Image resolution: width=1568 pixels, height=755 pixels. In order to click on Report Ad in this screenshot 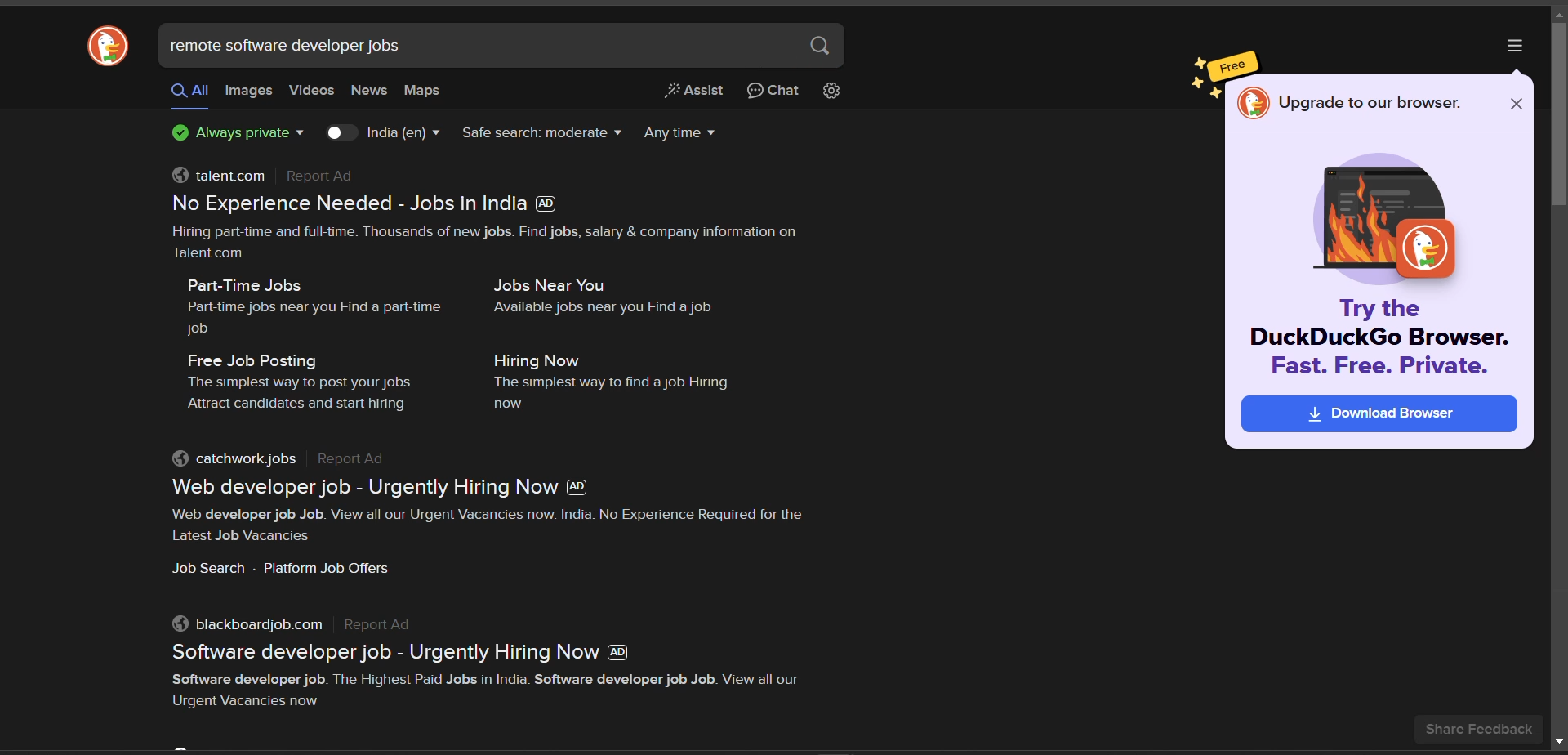, I will do `click(352, 458)`.